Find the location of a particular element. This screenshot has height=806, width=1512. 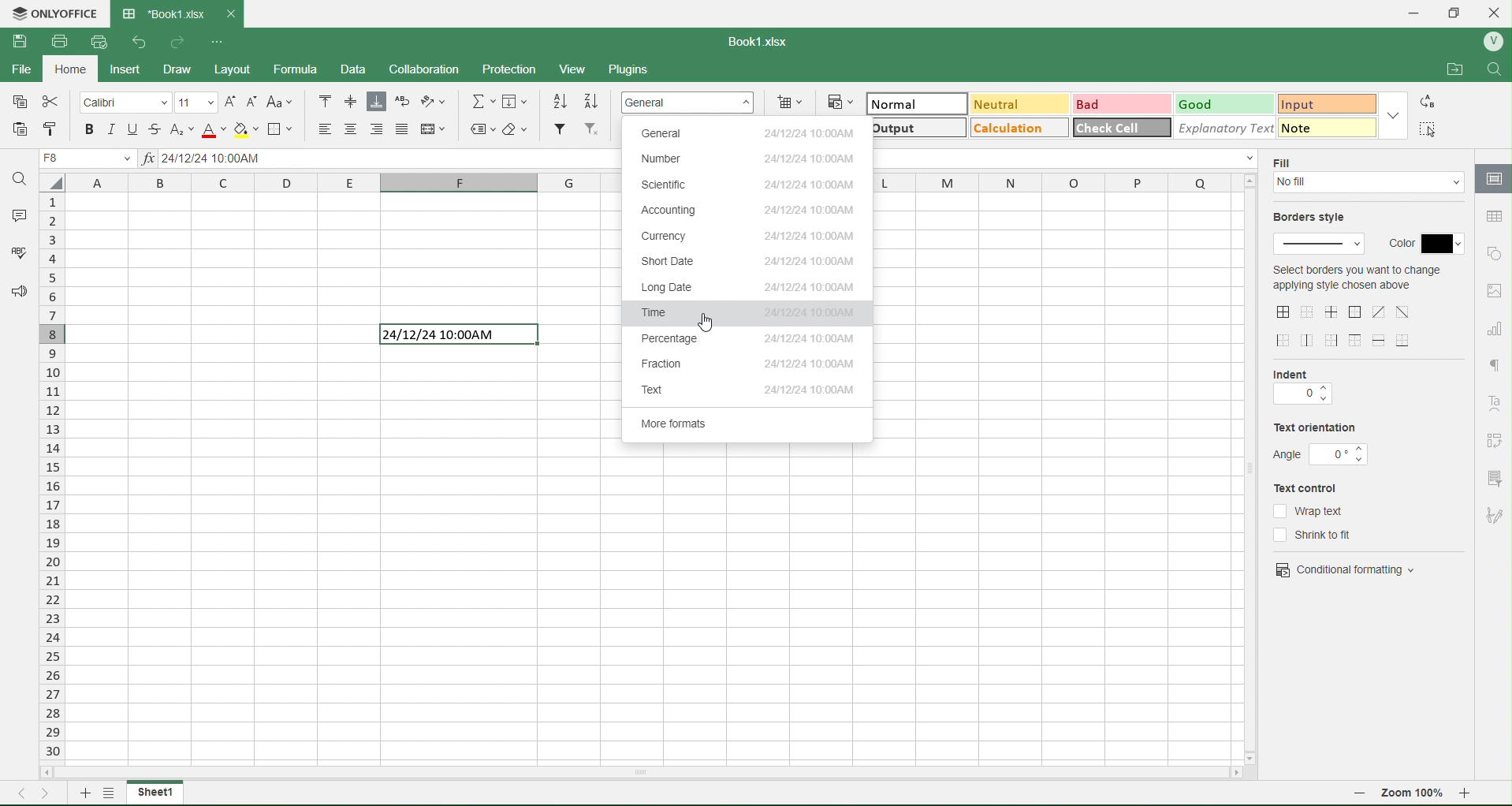

Book1.xlsx is located at coordinates (763, 39).